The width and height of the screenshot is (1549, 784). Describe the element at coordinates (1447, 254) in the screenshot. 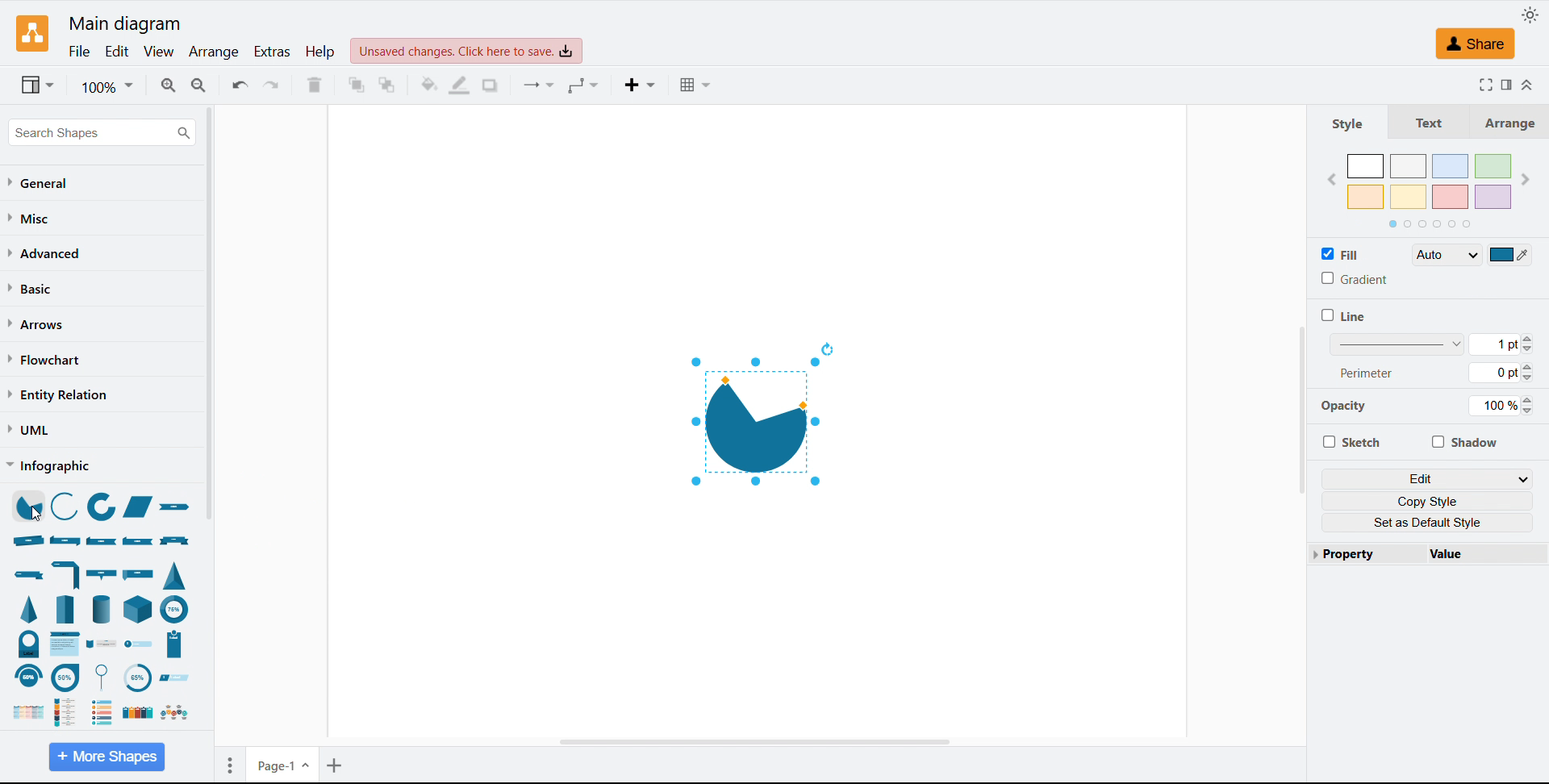

I see `Fill options ` at that location.